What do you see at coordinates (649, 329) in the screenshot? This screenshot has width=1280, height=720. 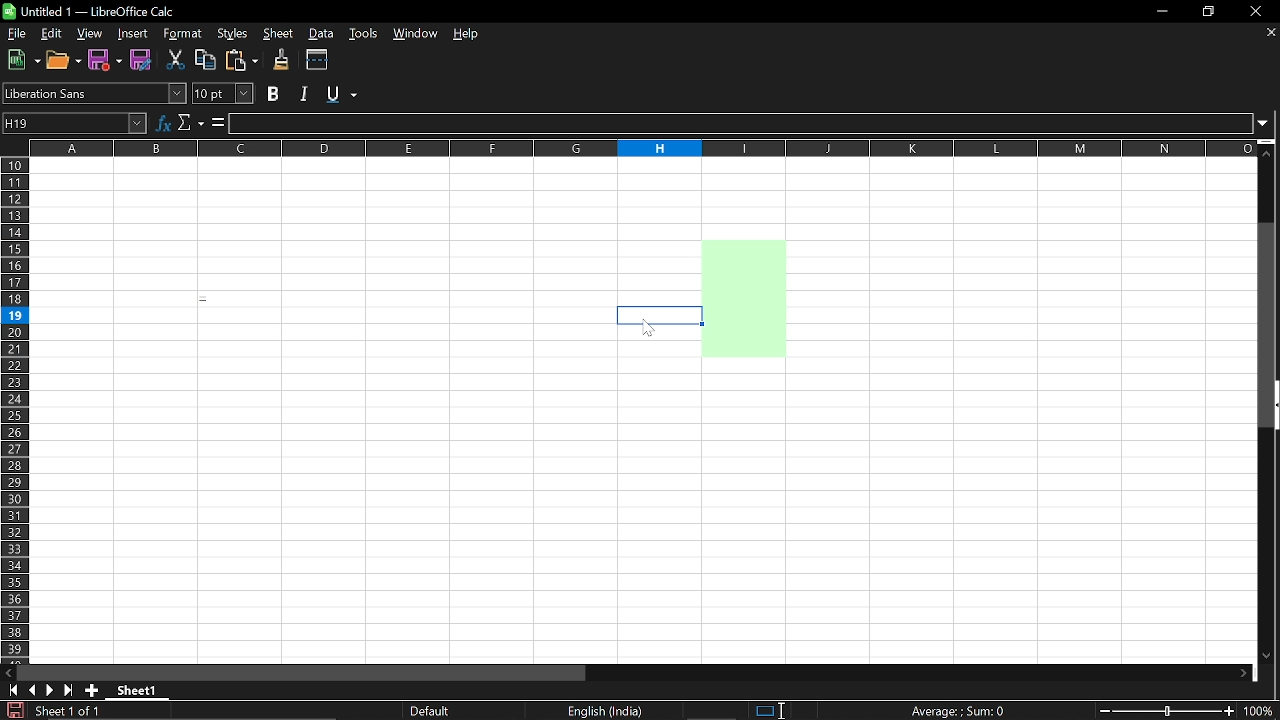 I see `Cursor` at bounding box center [649, 329].